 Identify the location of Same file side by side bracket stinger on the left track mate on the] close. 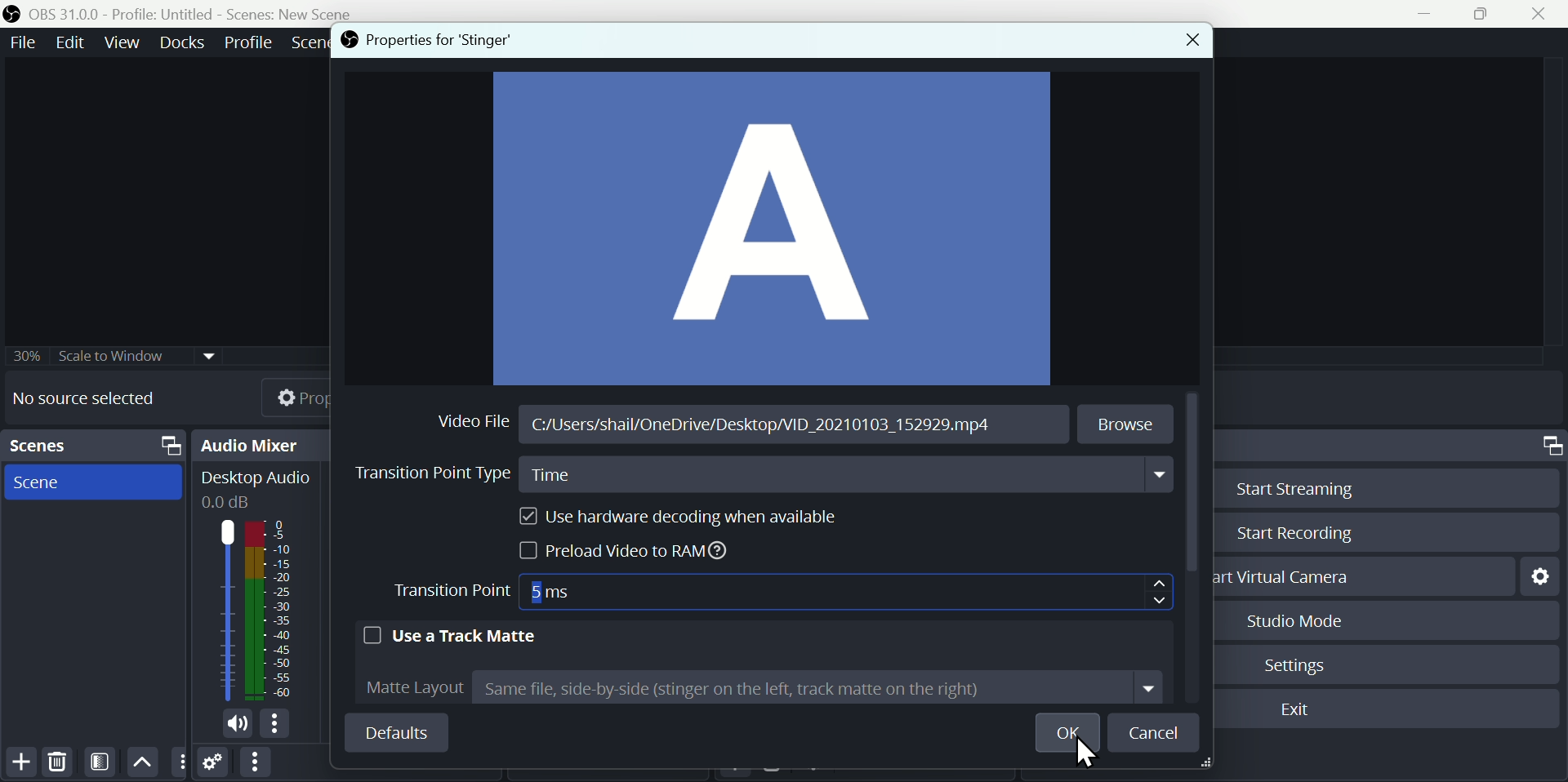
(819, 691).